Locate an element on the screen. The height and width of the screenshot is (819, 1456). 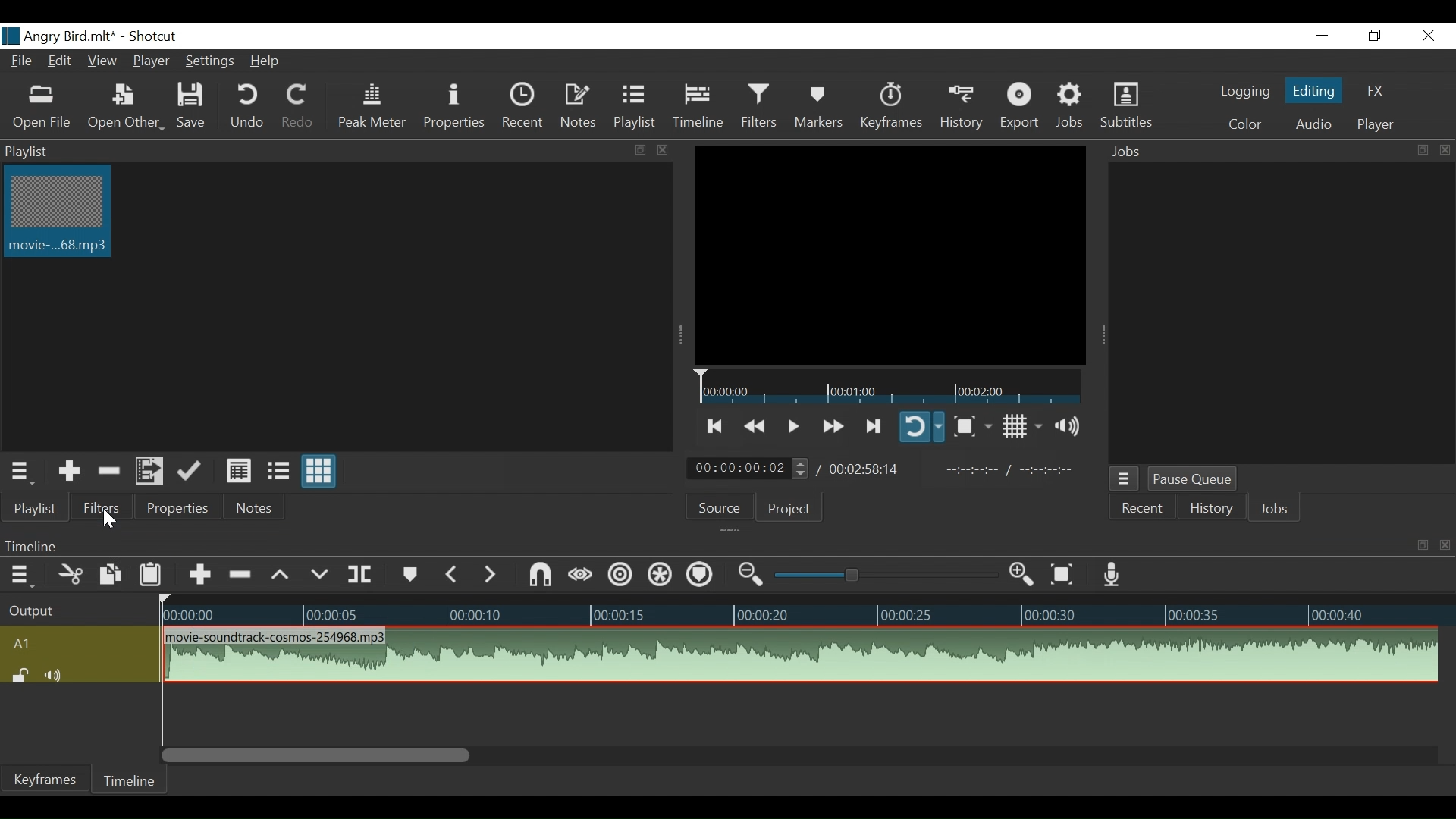
Scrub while dragging is located at coordinates (581, 575).